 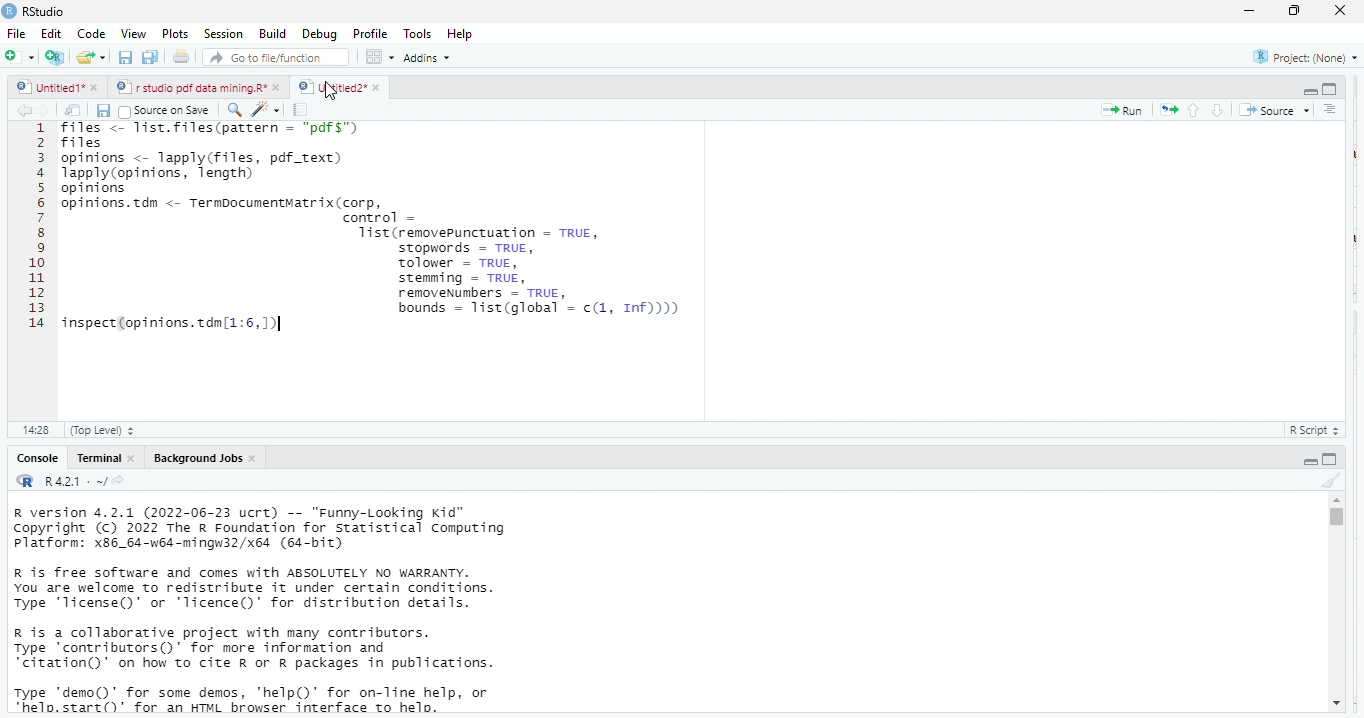 I want to click on 3.23, so click(x=35, y=428).